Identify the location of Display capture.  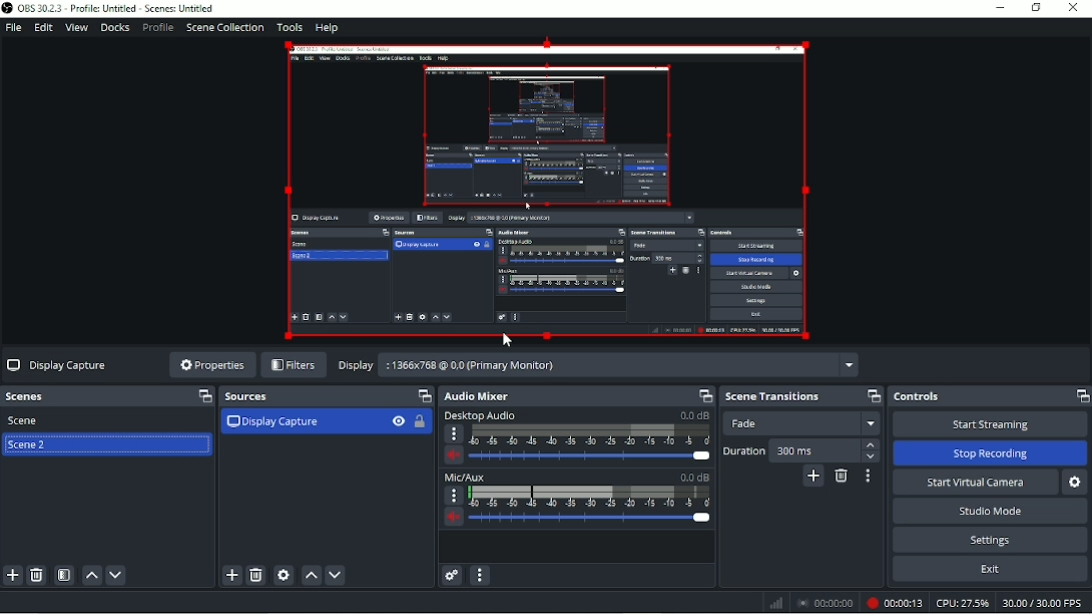
(273, 423).